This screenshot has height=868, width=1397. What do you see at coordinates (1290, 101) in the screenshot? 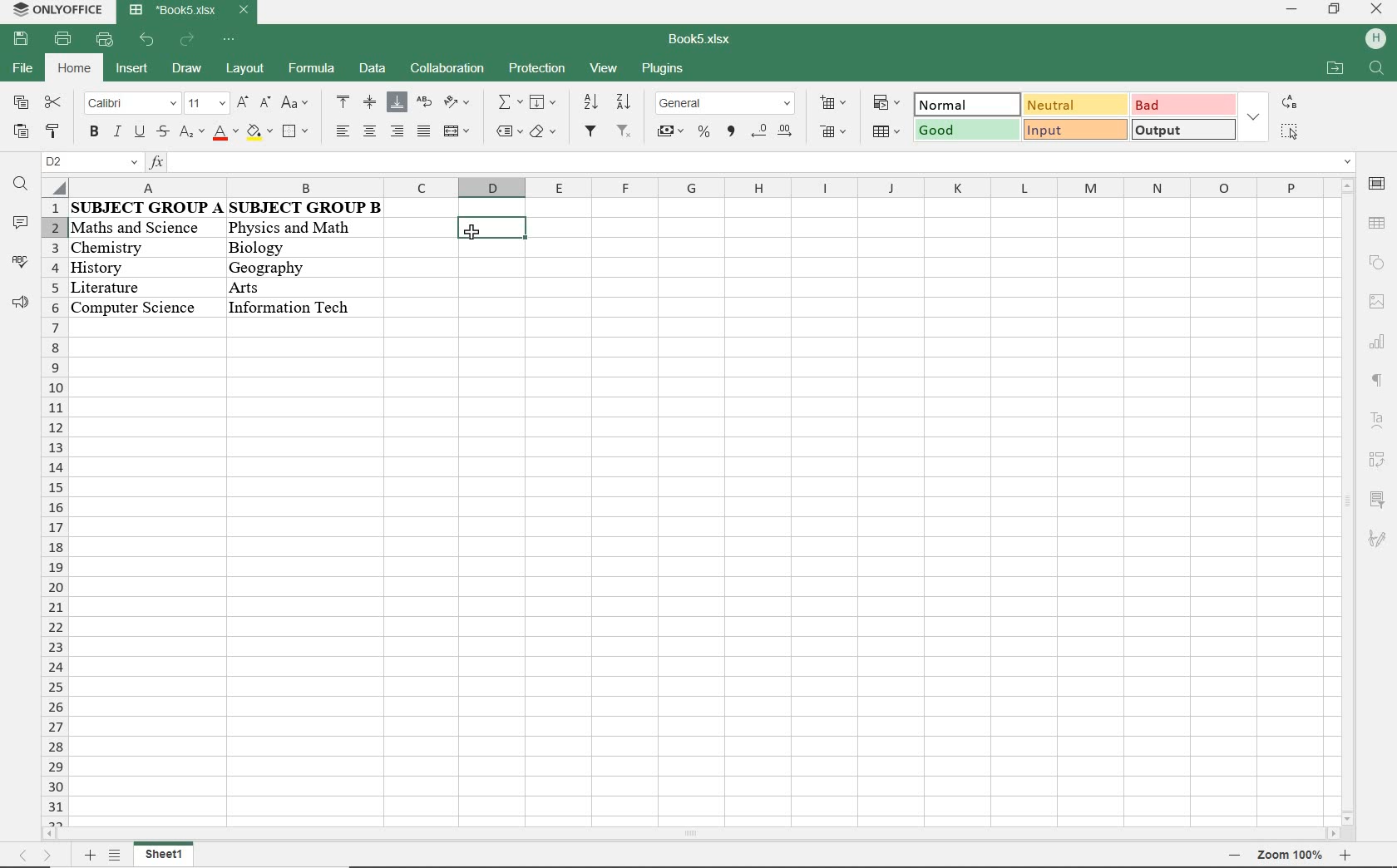
I see `replace` at bounding box center [1290, 101].